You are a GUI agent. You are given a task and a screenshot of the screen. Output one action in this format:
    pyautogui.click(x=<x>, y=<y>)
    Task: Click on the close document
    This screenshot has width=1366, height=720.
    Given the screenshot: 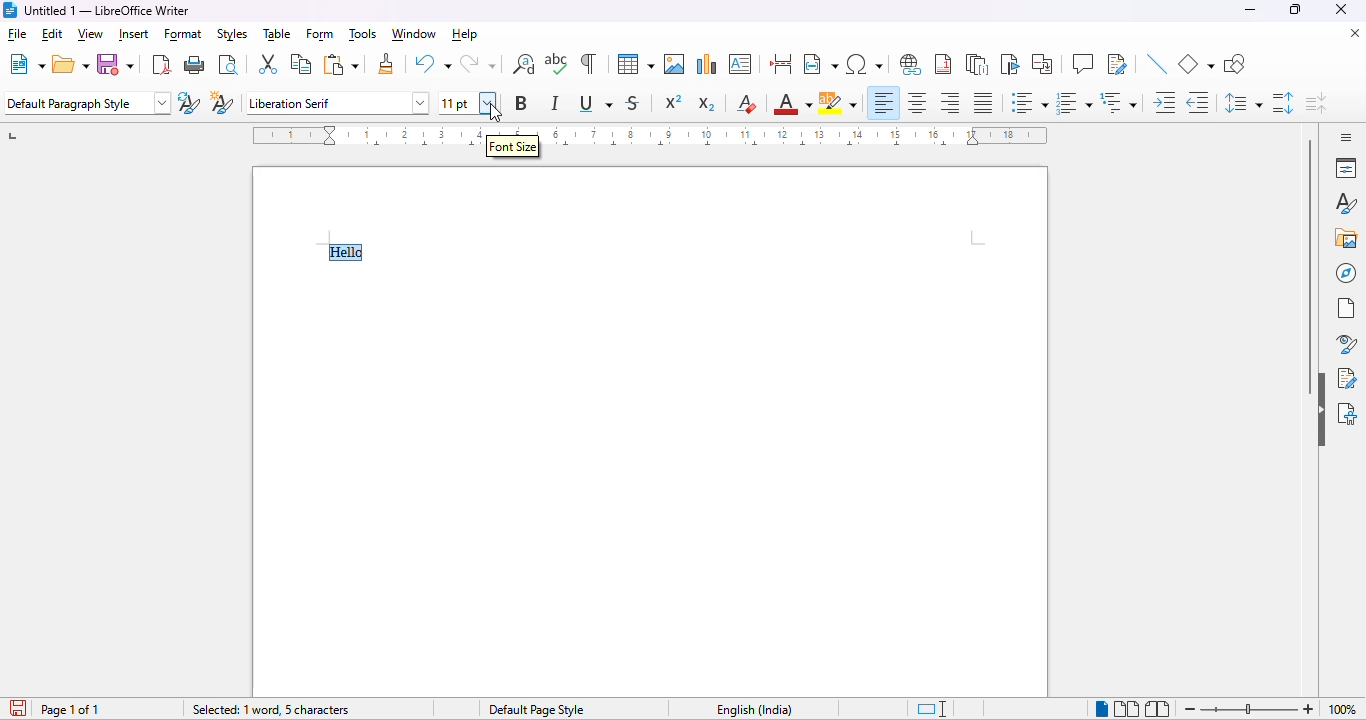 What is the action you would take?
    pyautogui.click(x=1355, y=33)
    